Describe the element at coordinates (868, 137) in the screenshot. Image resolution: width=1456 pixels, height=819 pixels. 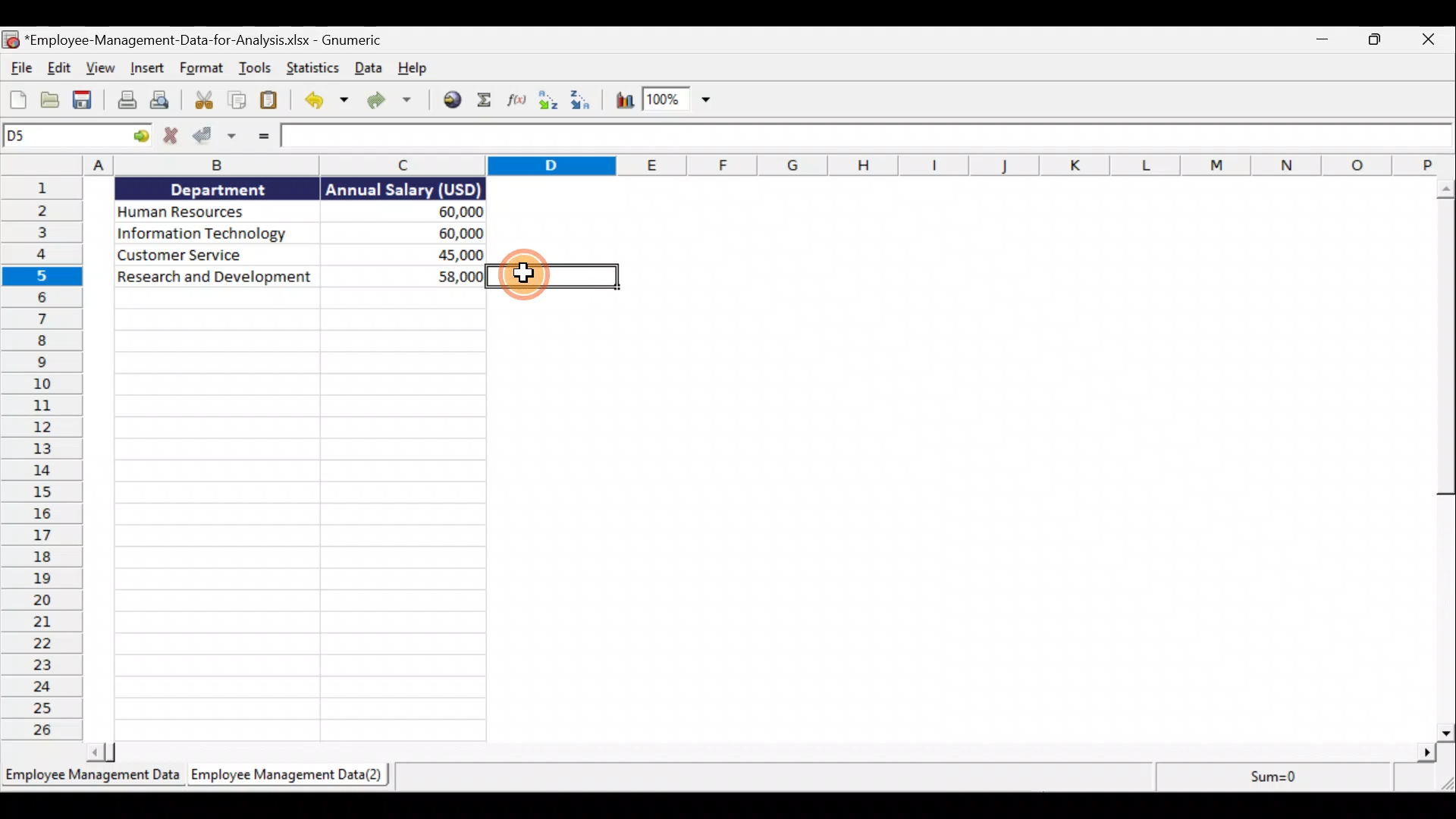
I see `Formula bar` at that location.